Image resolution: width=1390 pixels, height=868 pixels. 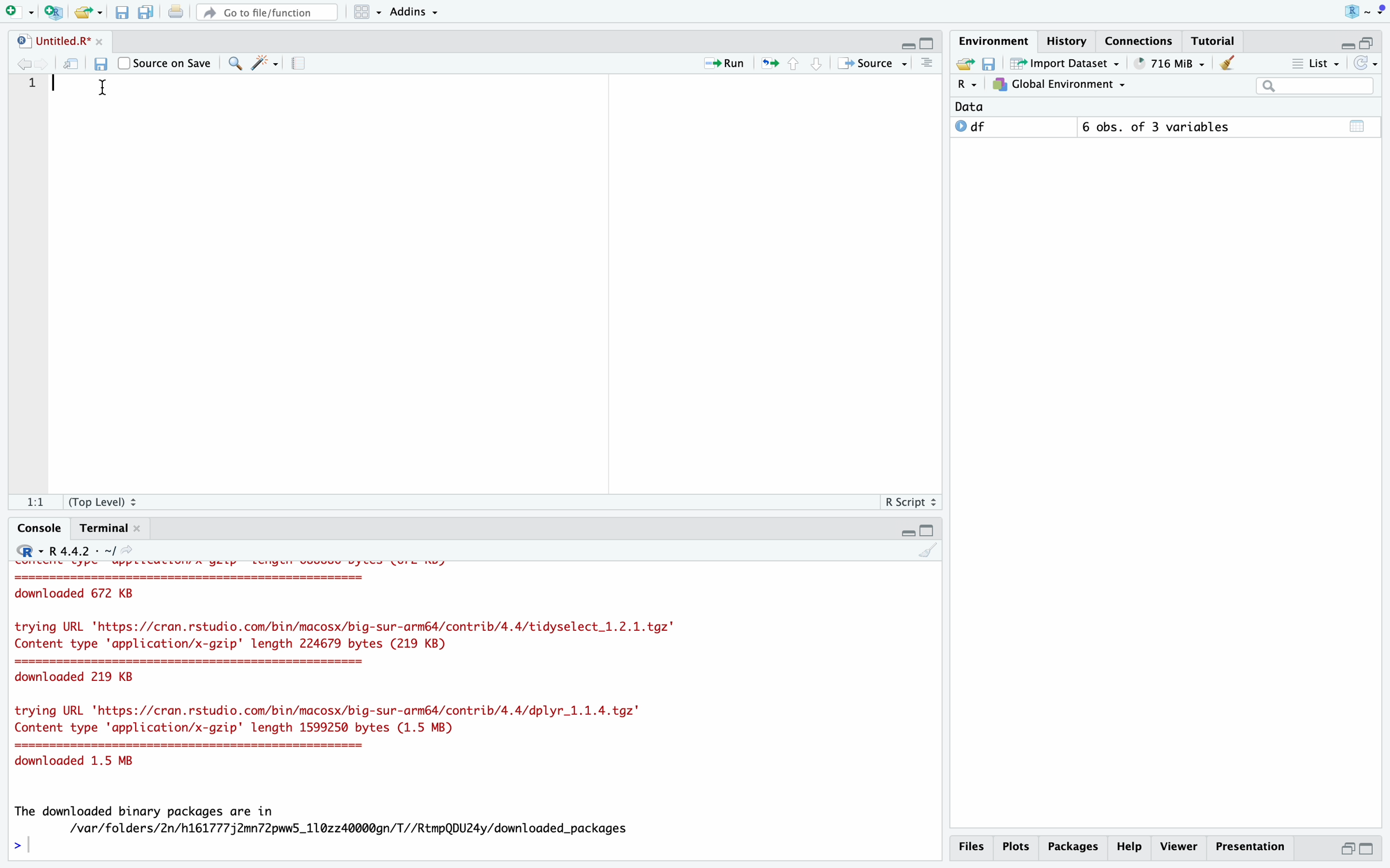 What do you see at coordinates (34, 502) in the screenshot?
I see `1:1` at bounding box center [34, 502].